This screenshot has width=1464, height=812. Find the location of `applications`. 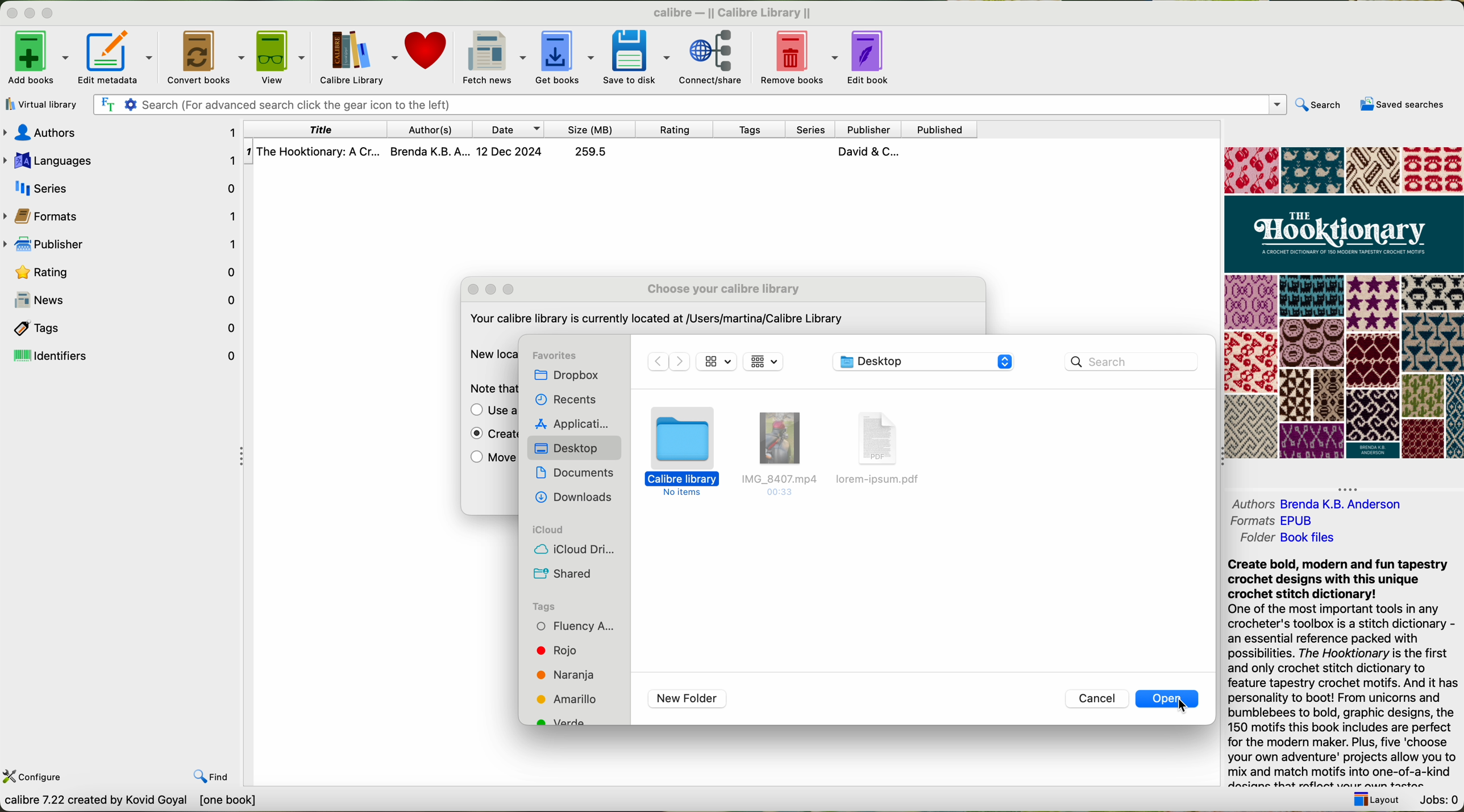

applications is located at coordinates (571, 422).